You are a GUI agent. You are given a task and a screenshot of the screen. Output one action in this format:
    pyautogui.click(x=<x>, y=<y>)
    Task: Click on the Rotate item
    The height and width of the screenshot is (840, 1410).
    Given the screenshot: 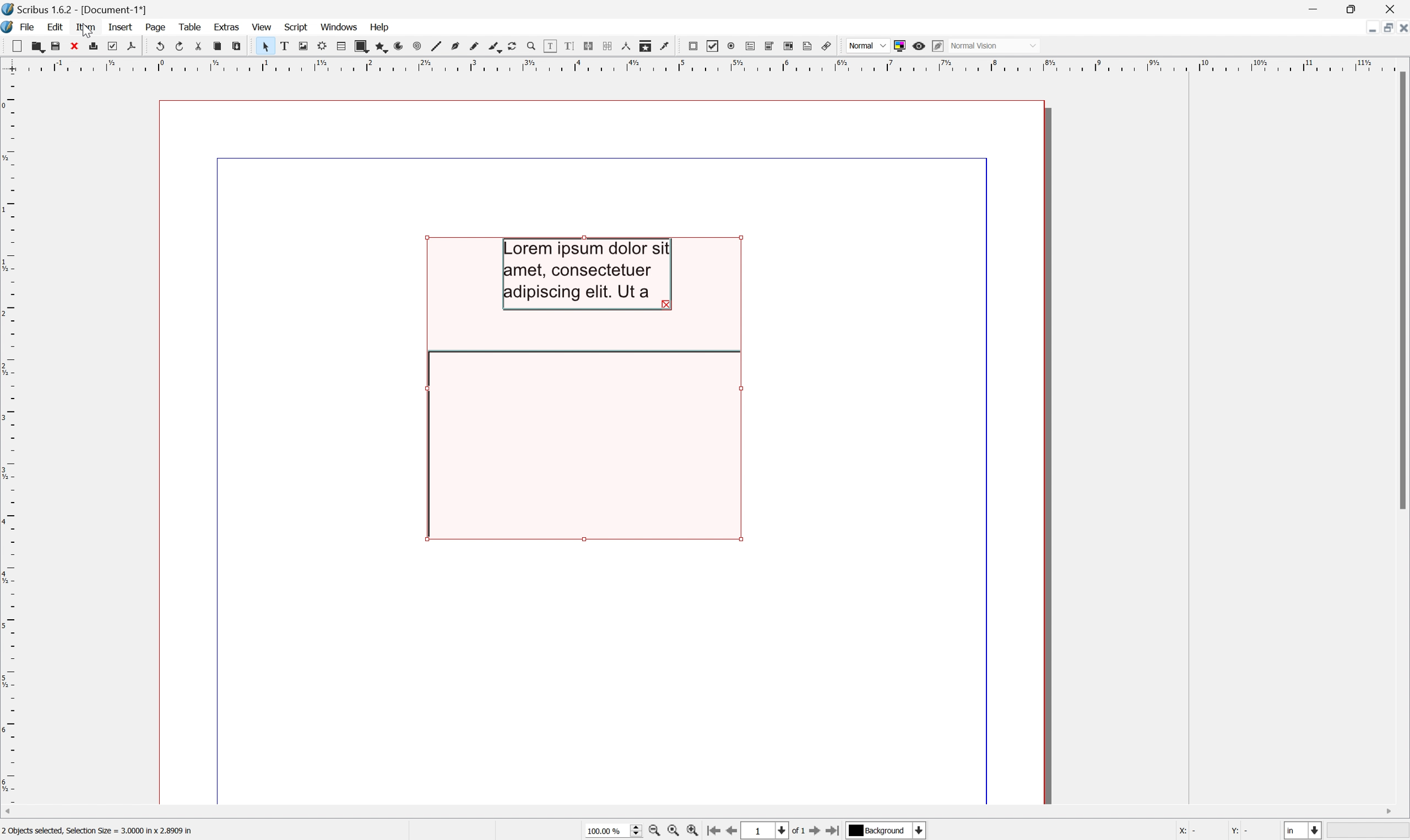 What is the action you would take?
    pyautogui.click(x=581, y=445)
    